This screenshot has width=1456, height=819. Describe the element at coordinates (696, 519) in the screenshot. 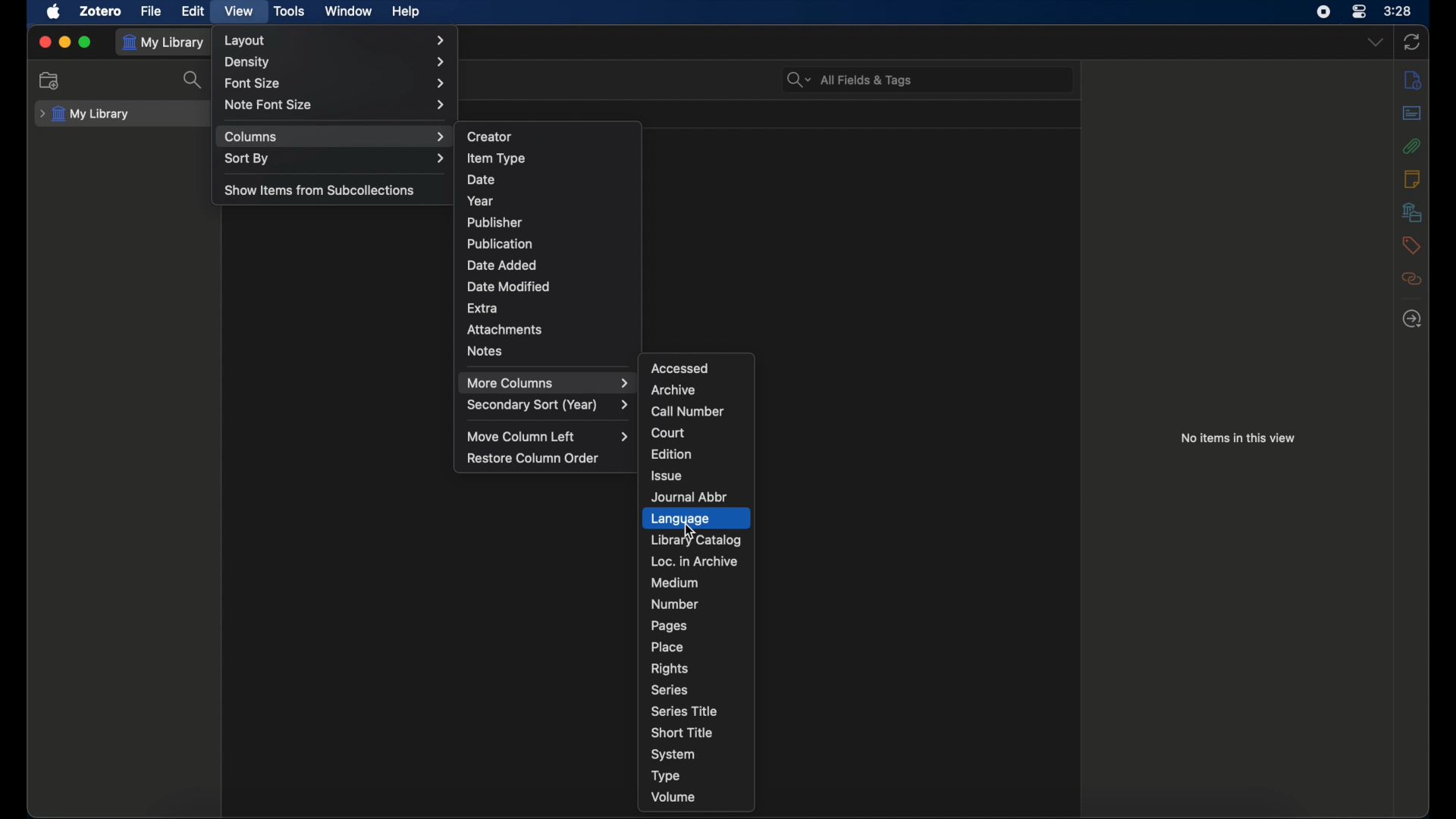

I see `language` at that location.